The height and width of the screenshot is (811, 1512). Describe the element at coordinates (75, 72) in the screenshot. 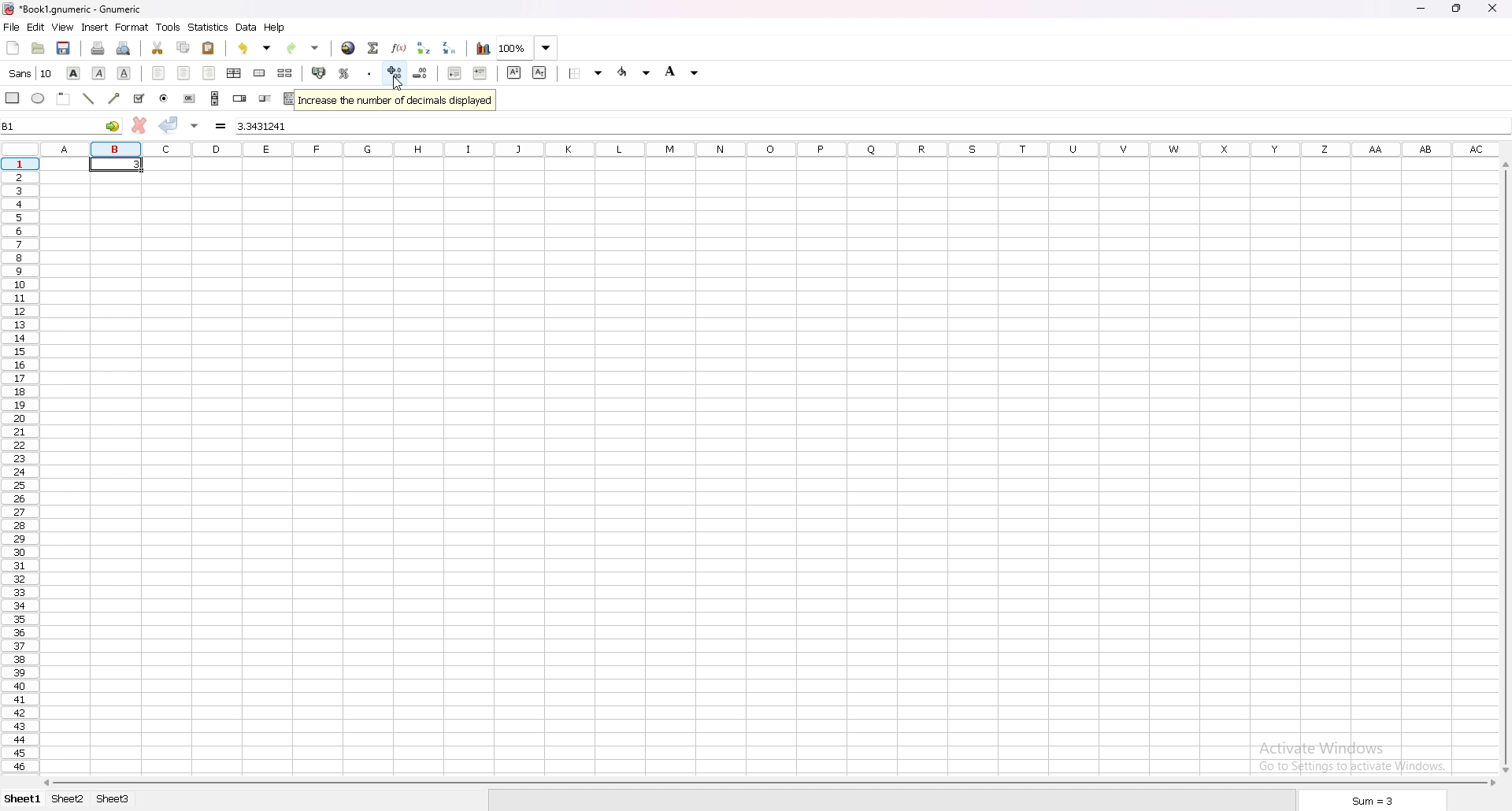

I see `bold` at that location.